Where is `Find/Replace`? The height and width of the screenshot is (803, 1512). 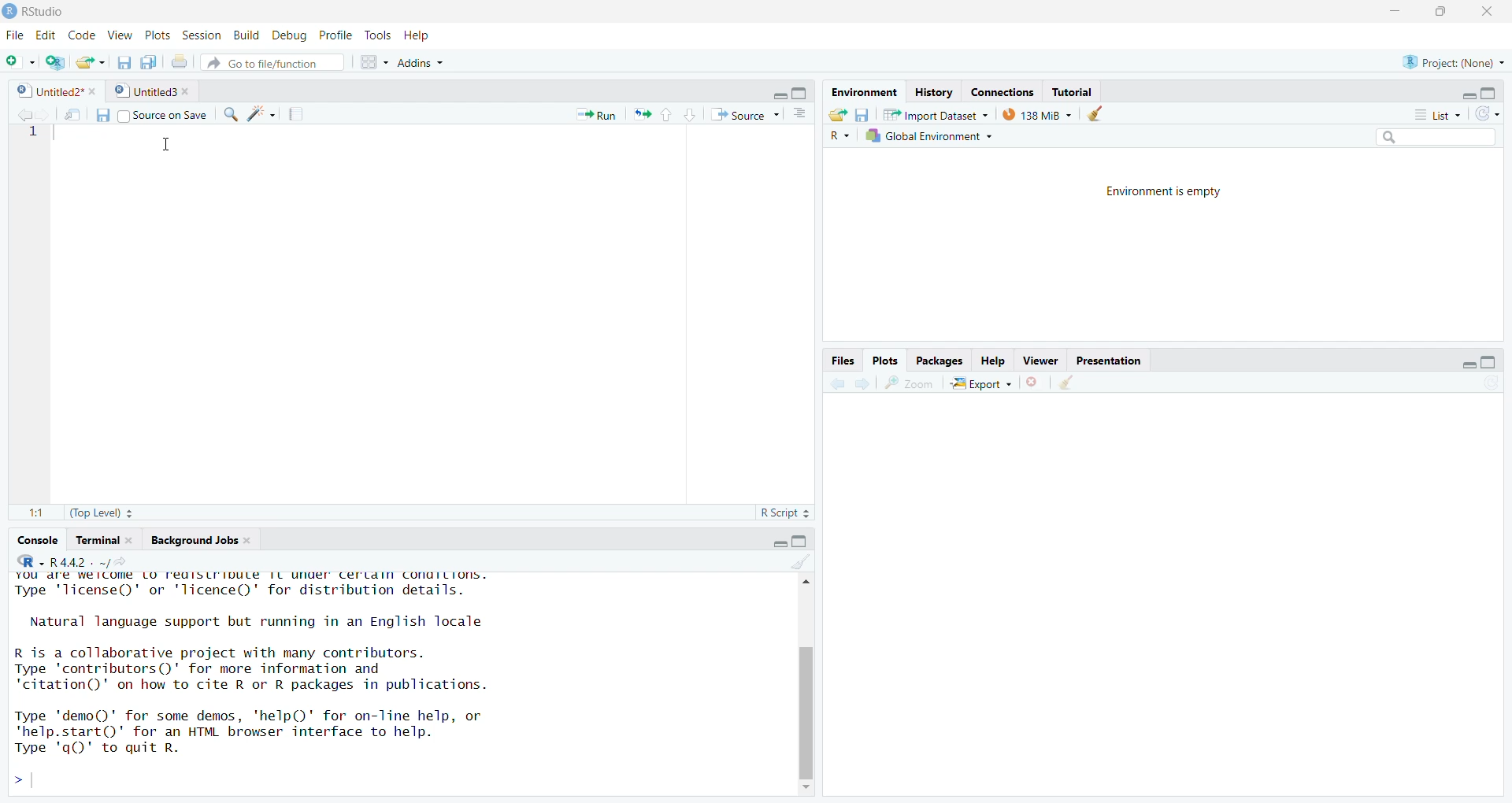 Find/Replace is located at coordinates (230, 115).